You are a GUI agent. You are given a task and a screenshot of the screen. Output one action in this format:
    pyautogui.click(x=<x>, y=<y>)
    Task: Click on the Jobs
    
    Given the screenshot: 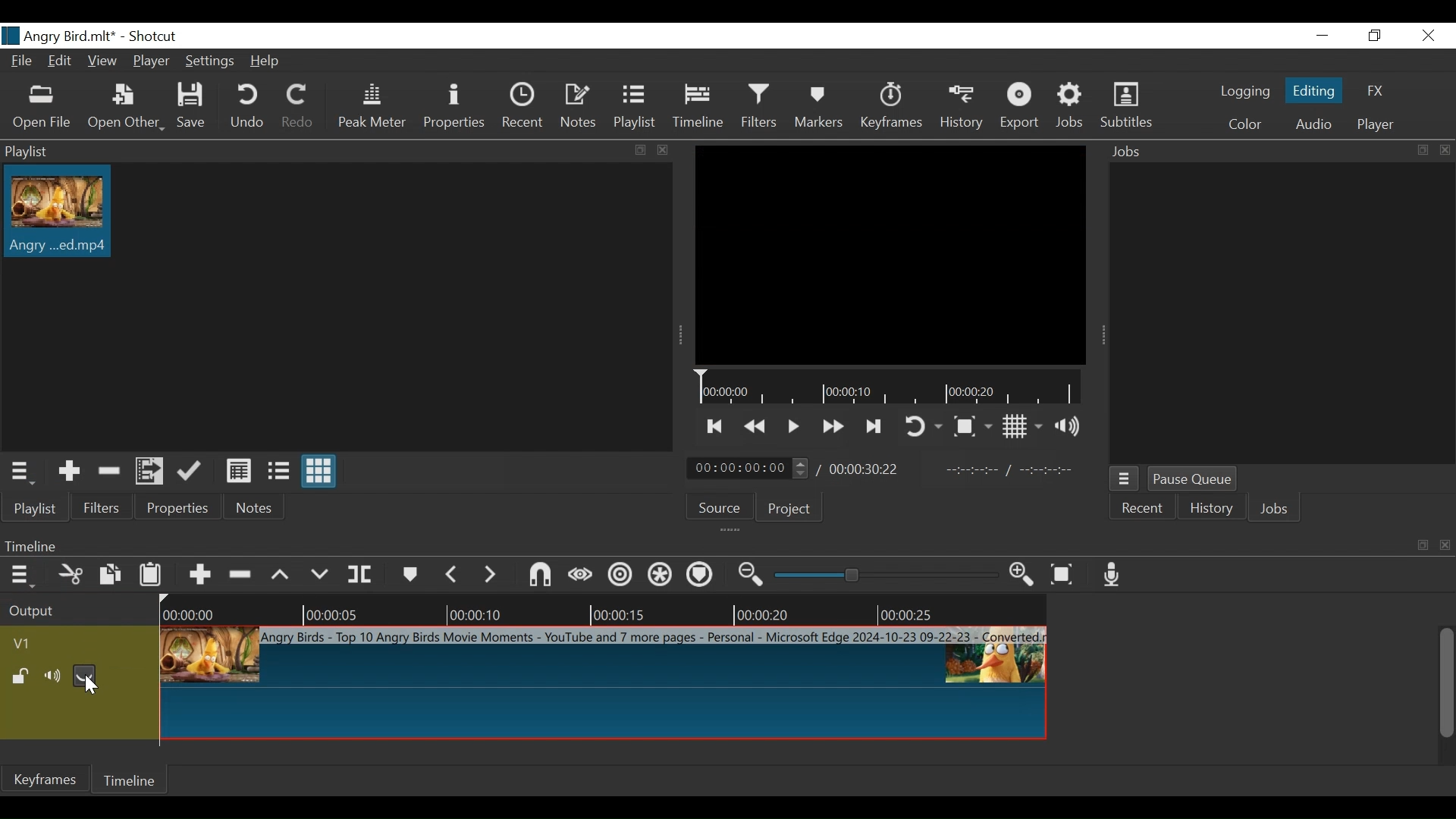 What is the action you would take?
    pyautogui.click(x=1276, y=510)
    